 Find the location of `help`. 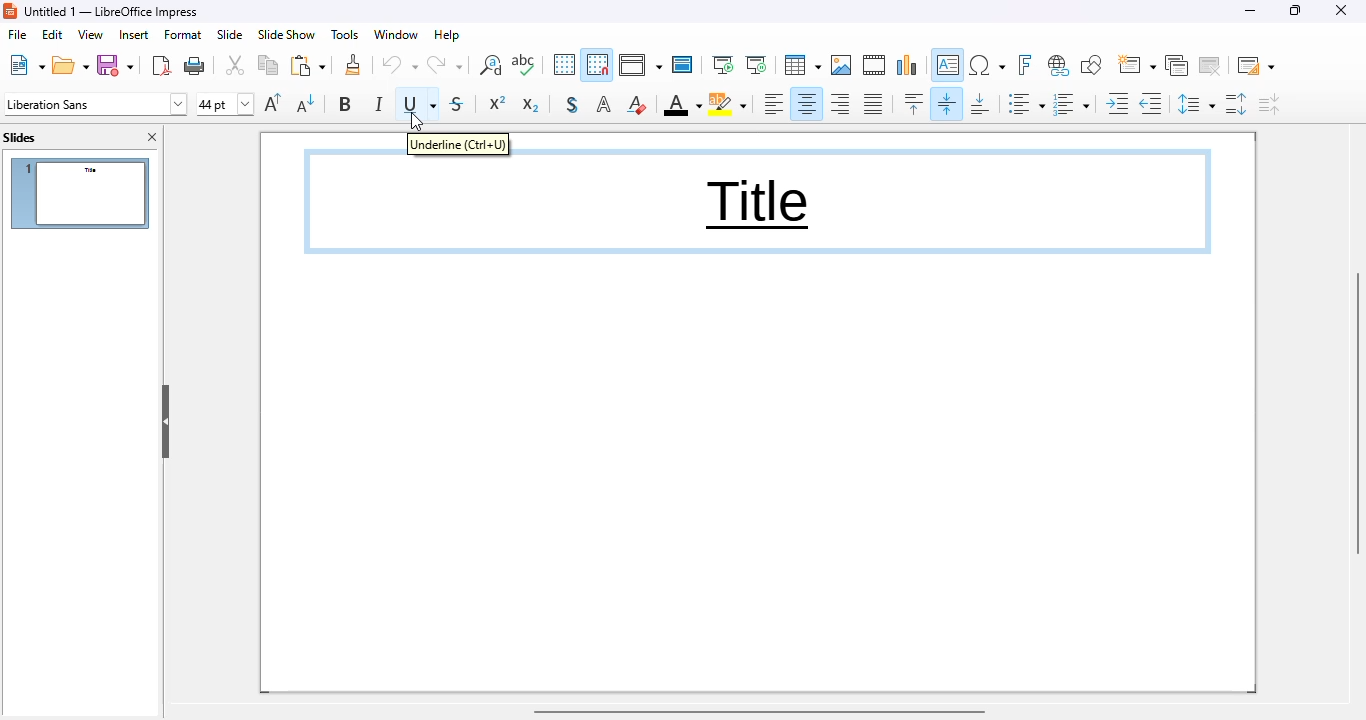

help is located at coordinates (447, 34).